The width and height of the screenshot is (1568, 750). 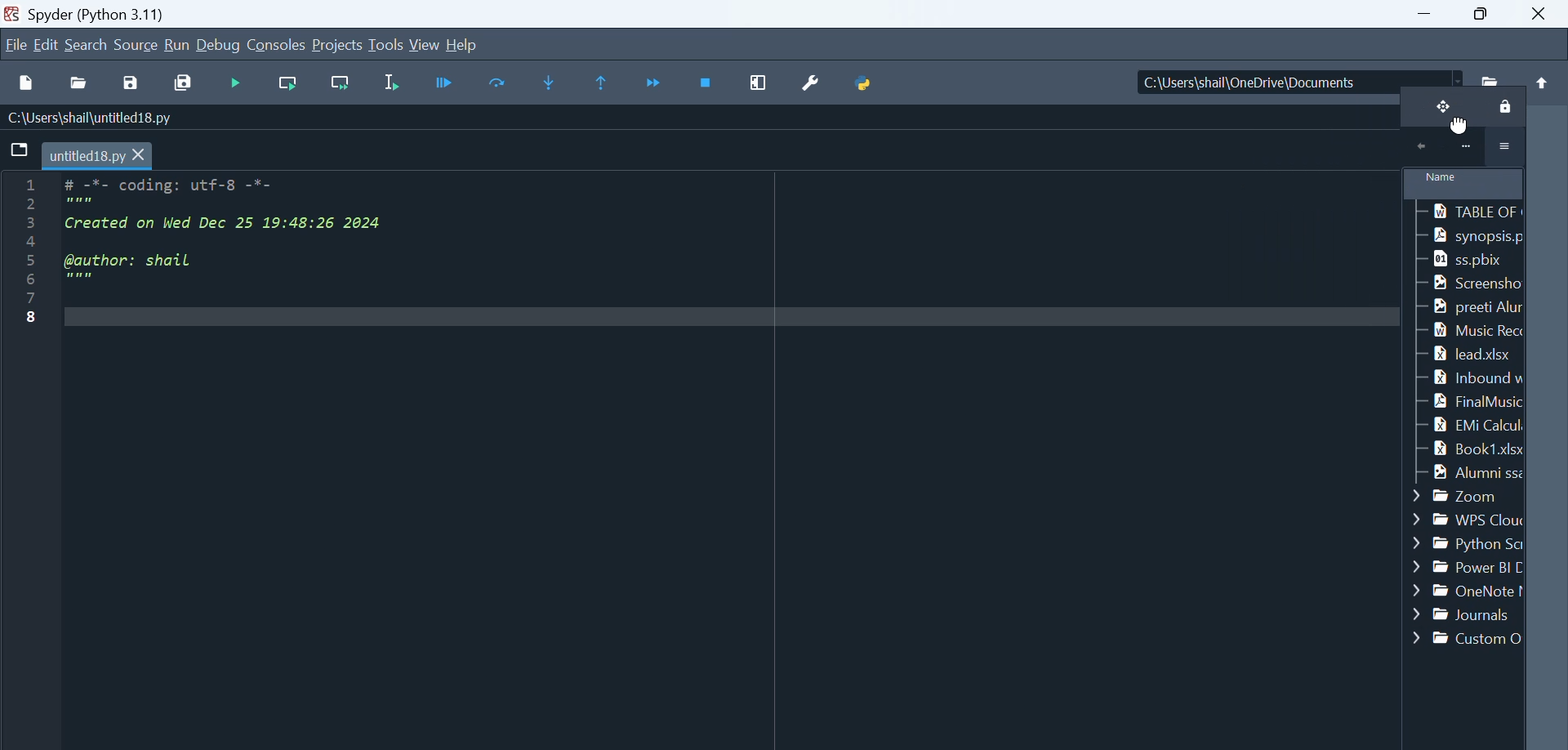 What do you see at coordinates (655, 84) in the screenshot?
I see `Continue execution until next function` at bounding box center [655, 84].